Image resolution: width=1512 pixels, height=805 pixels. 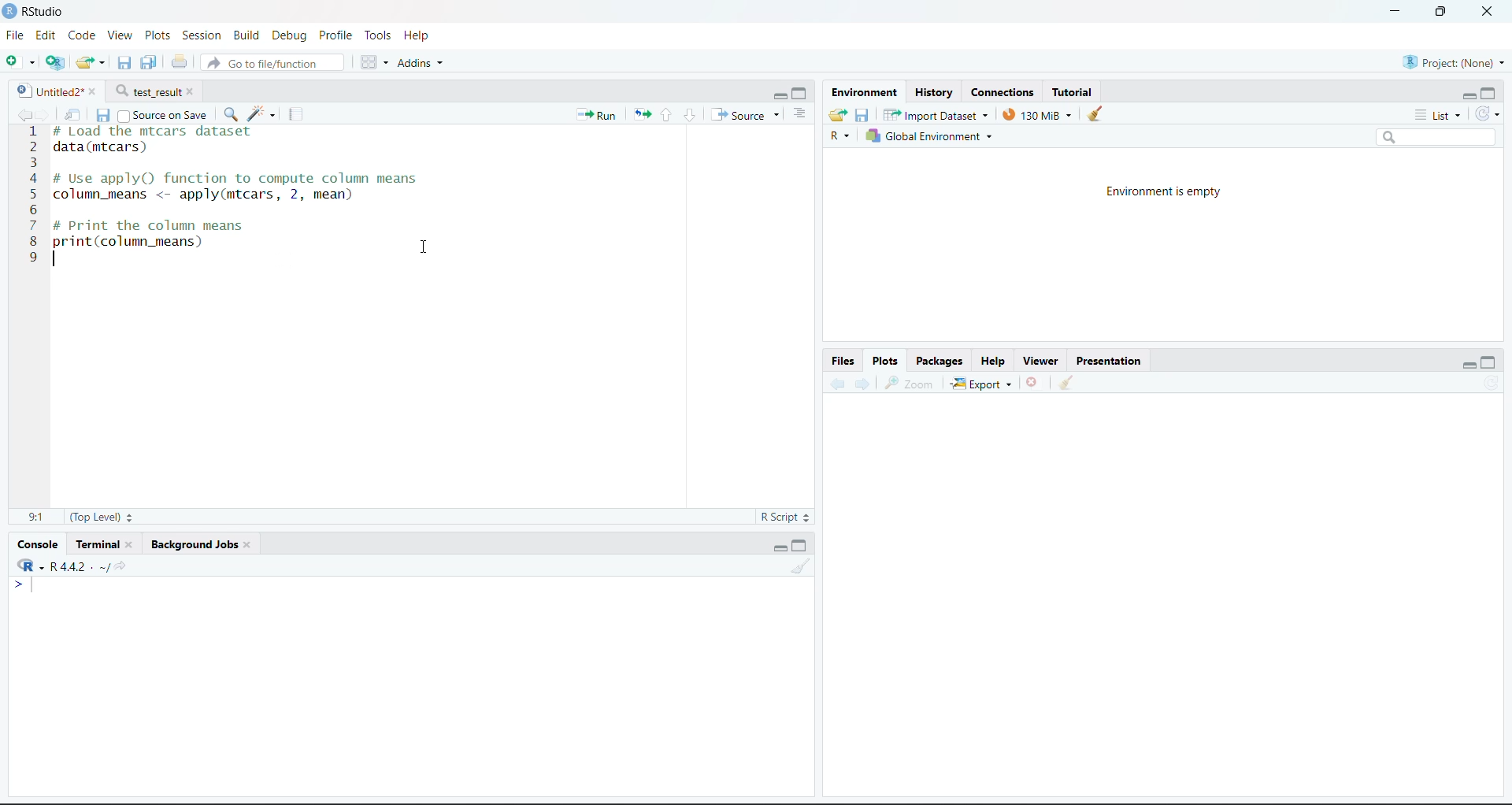 I want to click on R 4.2.2~/, so click(x=78, y=566).